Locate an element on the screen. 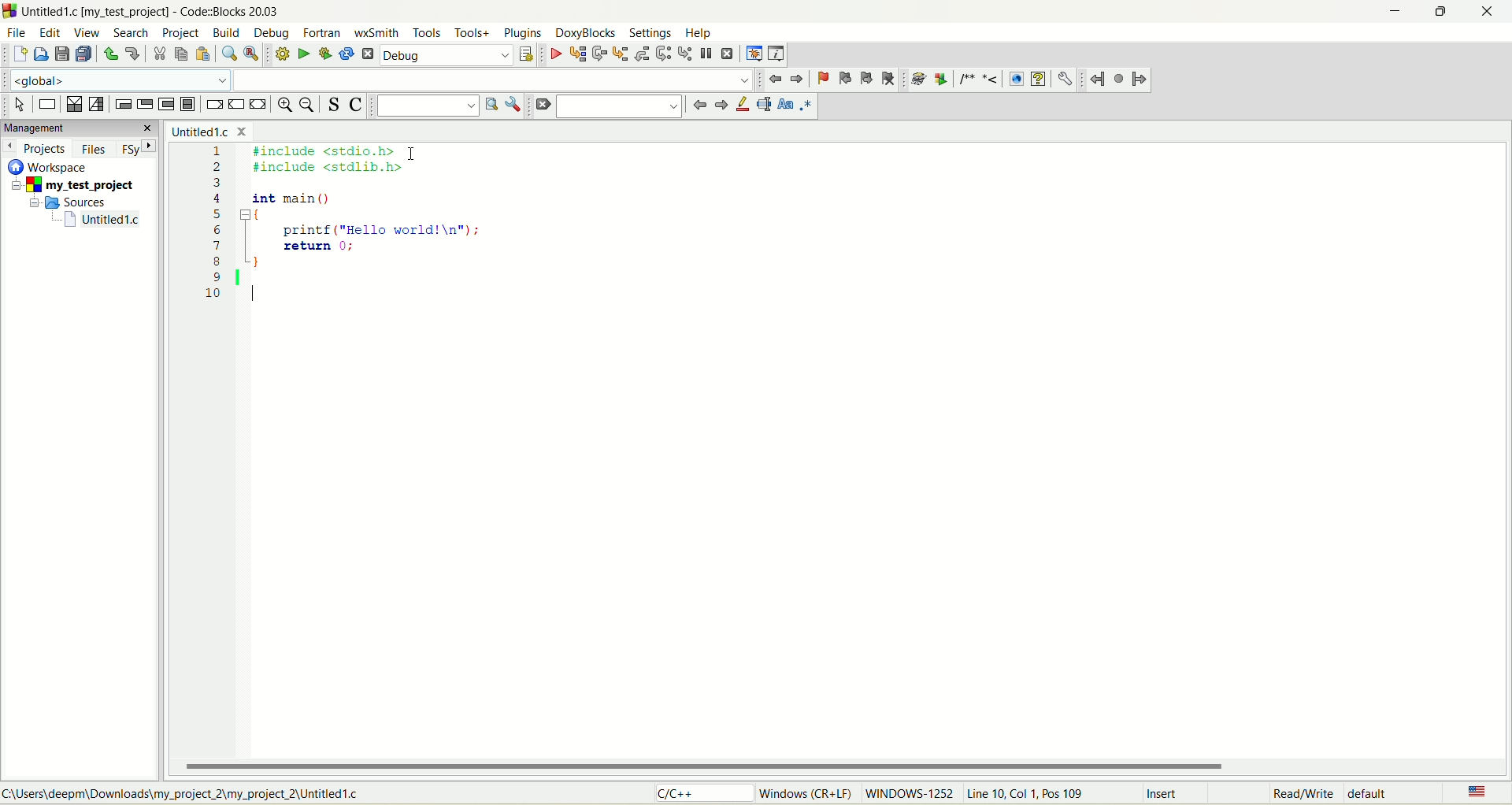 The width and height of the screenshot is (1512, 805). selected text is located at coordinates (762, 106).